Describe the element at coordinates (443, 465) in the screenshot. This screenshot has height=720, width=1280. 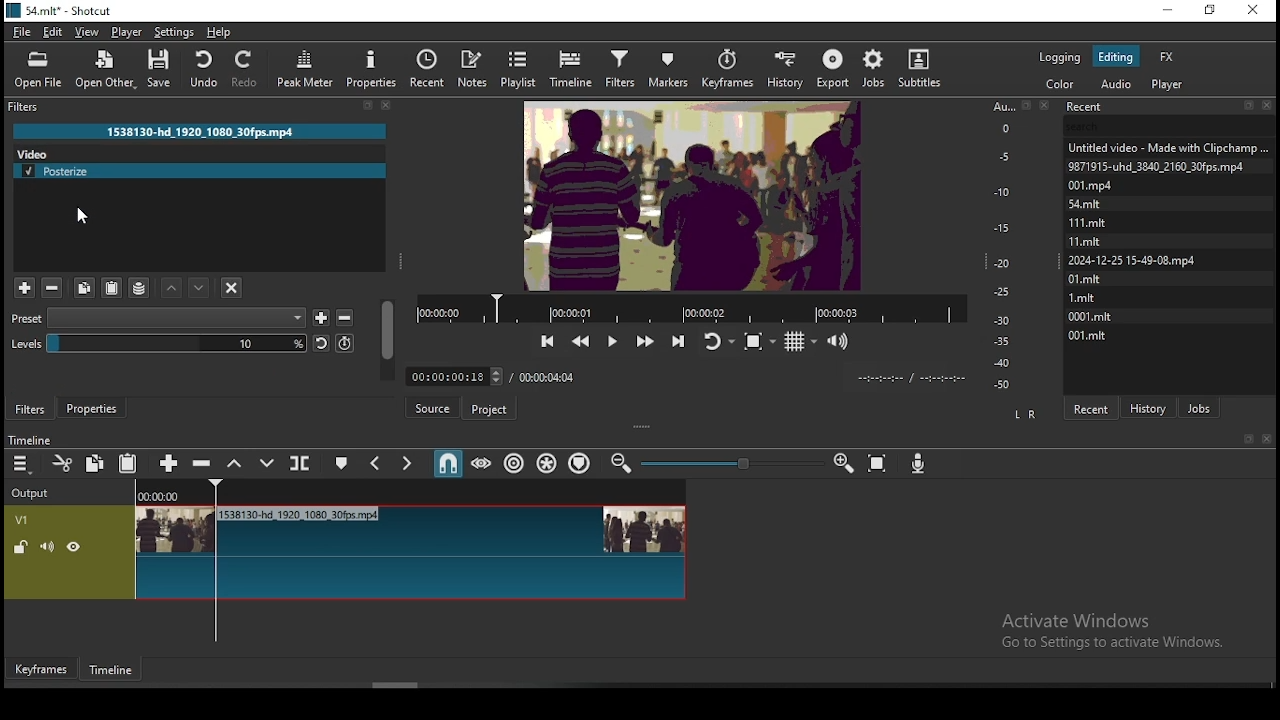
I see `snap` at that location.